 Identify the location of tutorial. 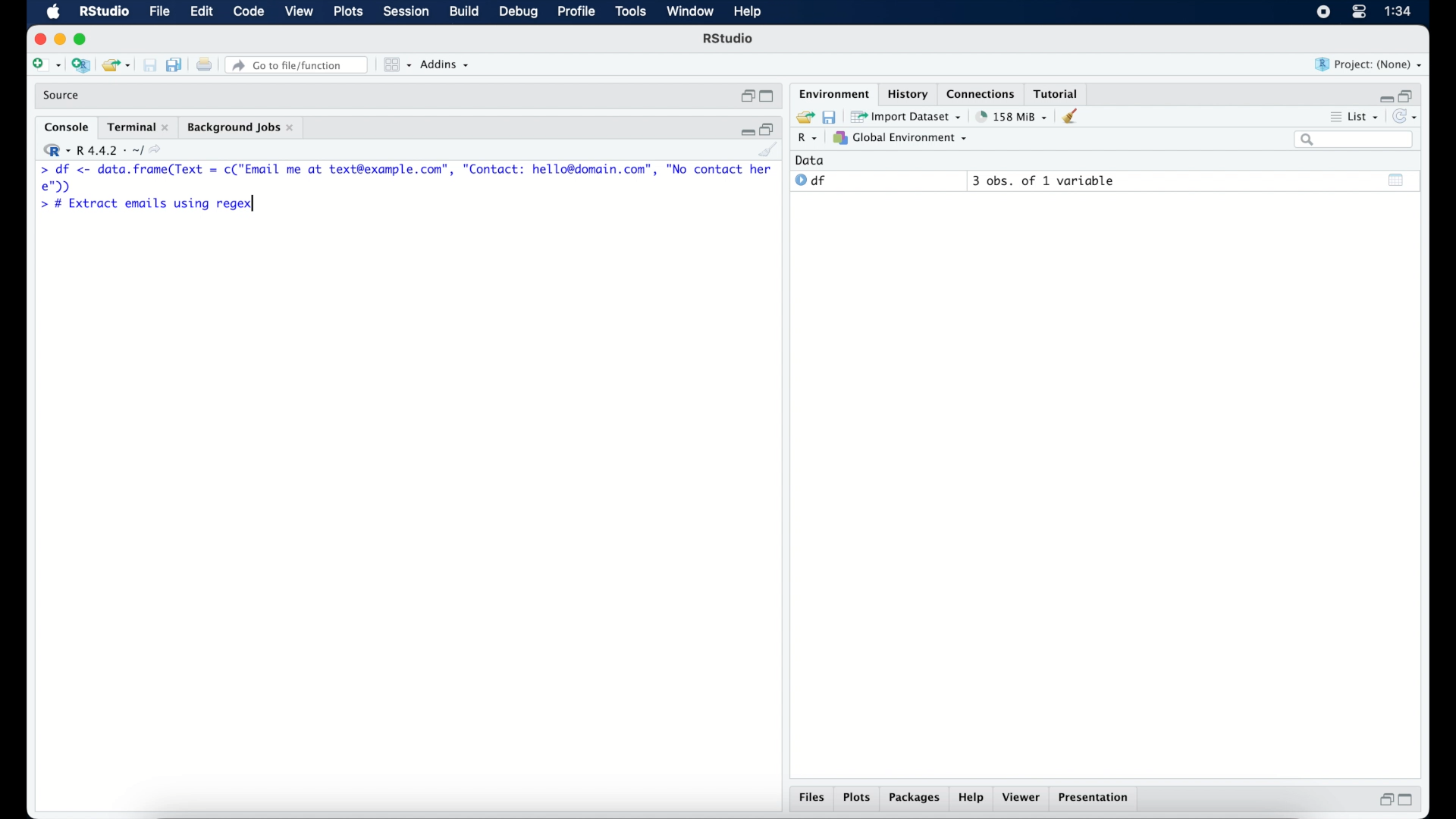
(1059, 92).